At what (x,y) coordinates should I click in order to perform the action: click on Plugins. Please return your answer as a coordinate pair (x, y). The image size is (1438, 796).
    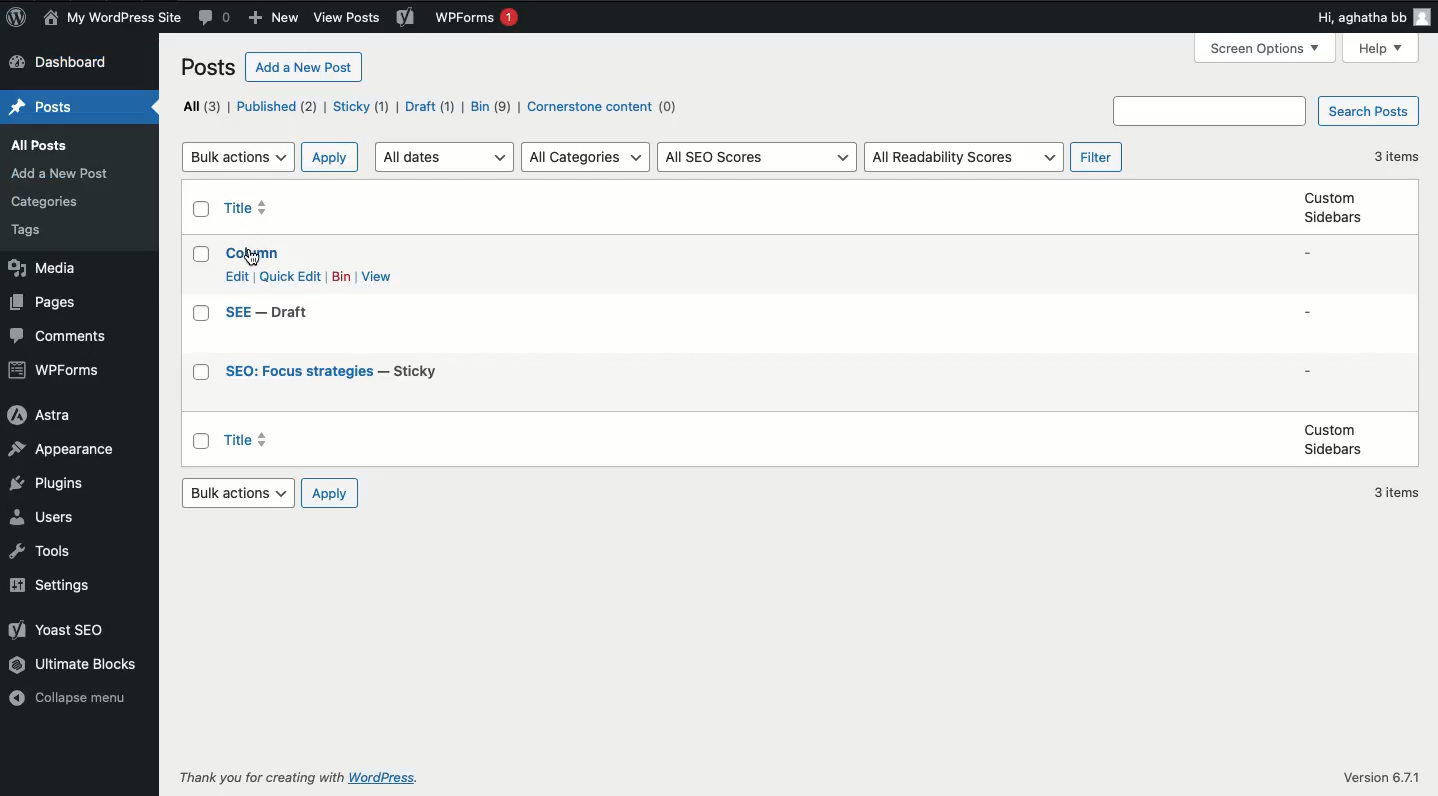
    Looking at the image, I should click on (52, 485).